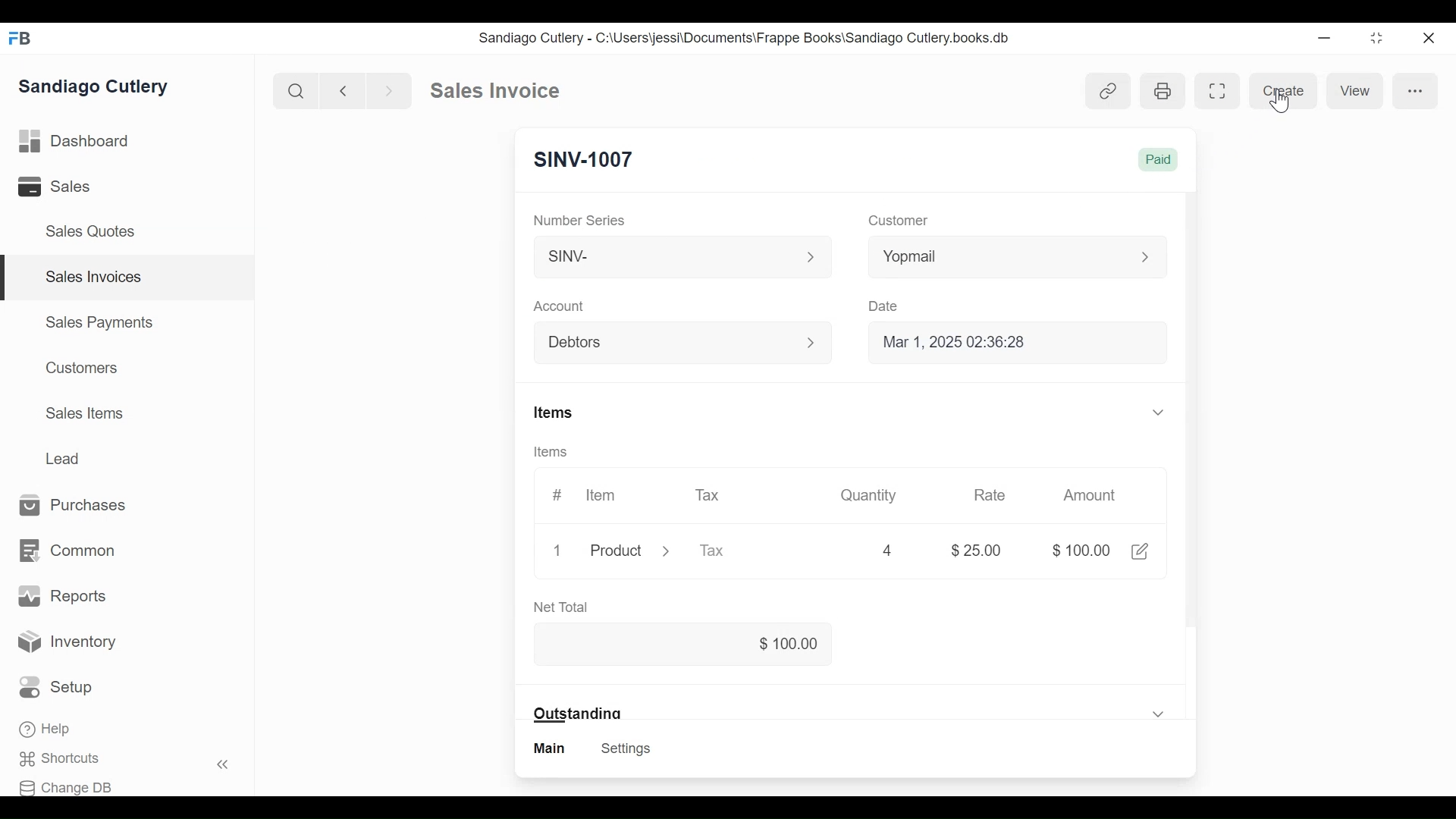 The height and width of the screenshot is (819, 1456). What do you see at coordinates (991, 494) in the screenshot?
I see `Rate` at bounding box center [991, 494].